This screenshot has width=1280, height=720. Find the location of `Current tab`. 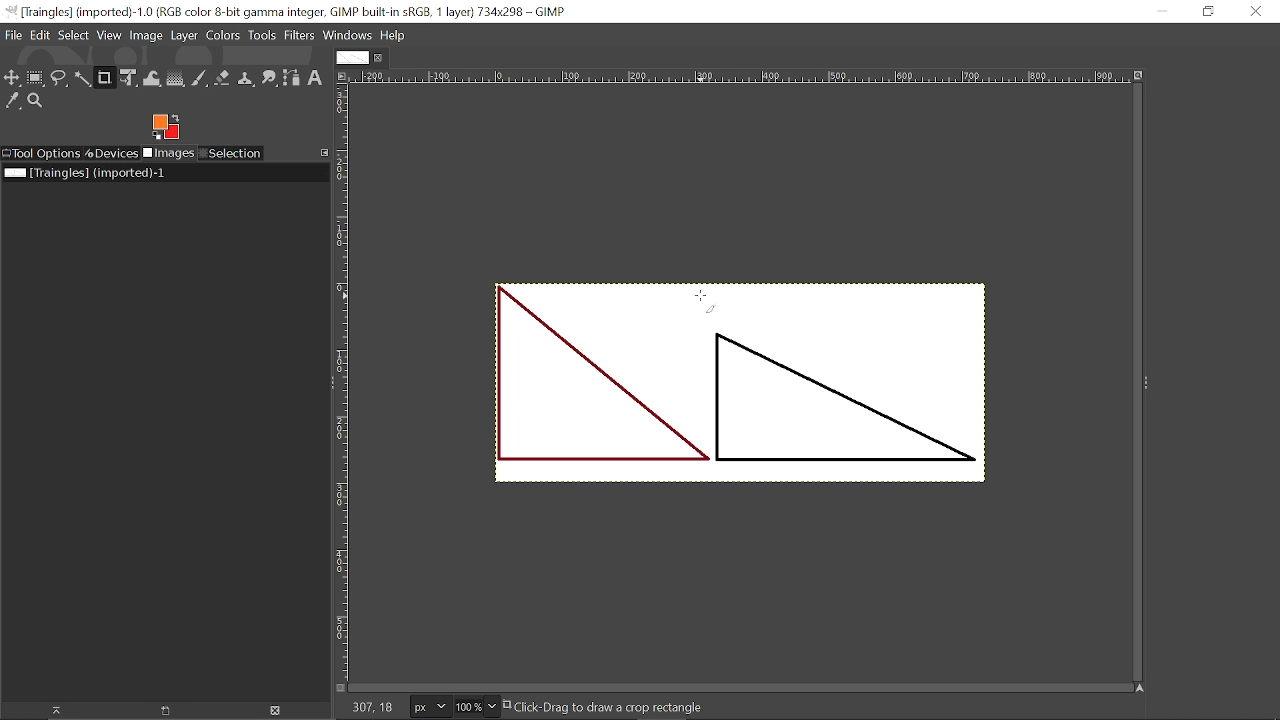

Current tab is located at coordinates (350, 57).